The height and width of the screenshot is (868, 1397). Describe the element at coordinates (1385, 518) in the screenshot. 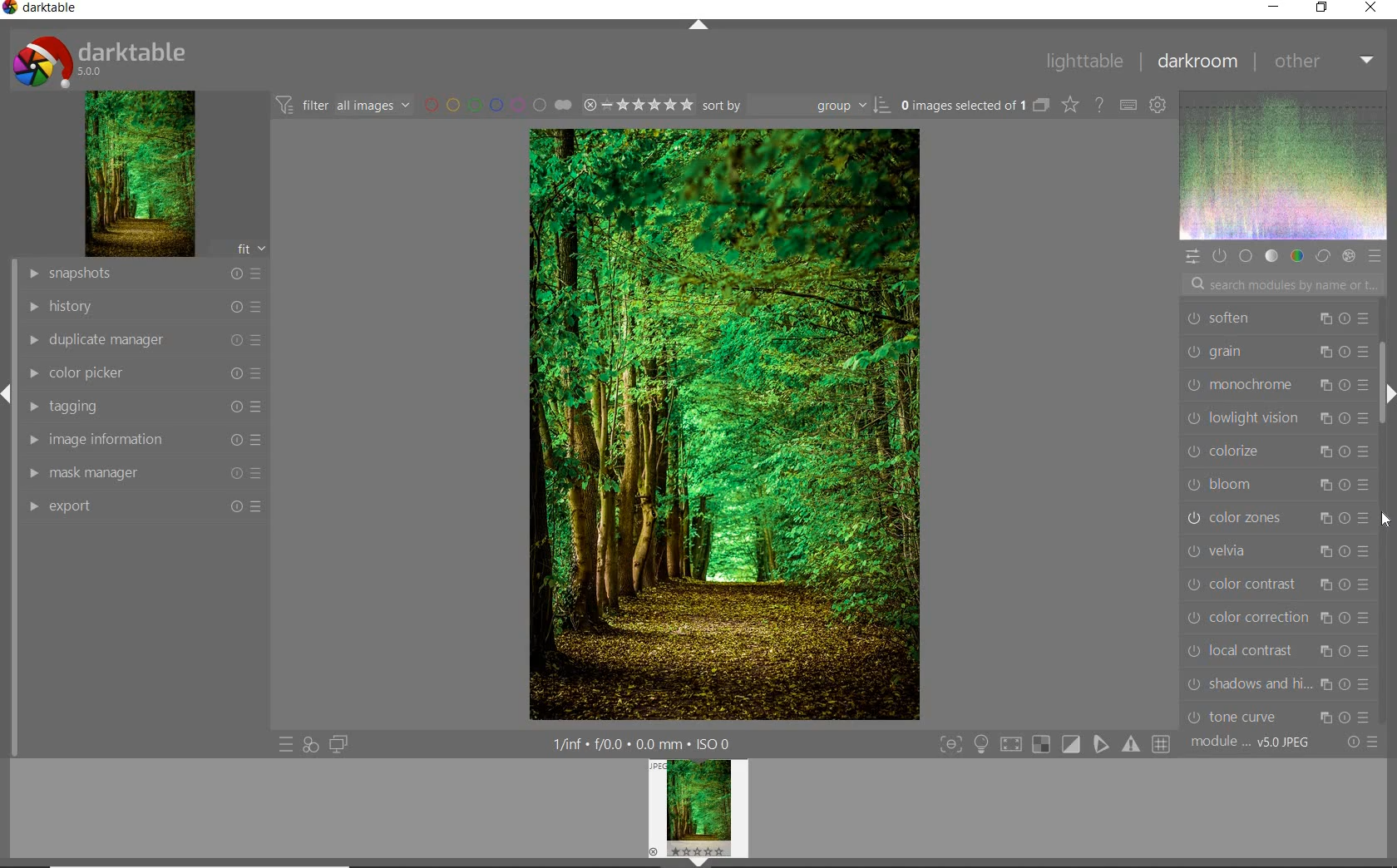

I see `cursor` at that location.